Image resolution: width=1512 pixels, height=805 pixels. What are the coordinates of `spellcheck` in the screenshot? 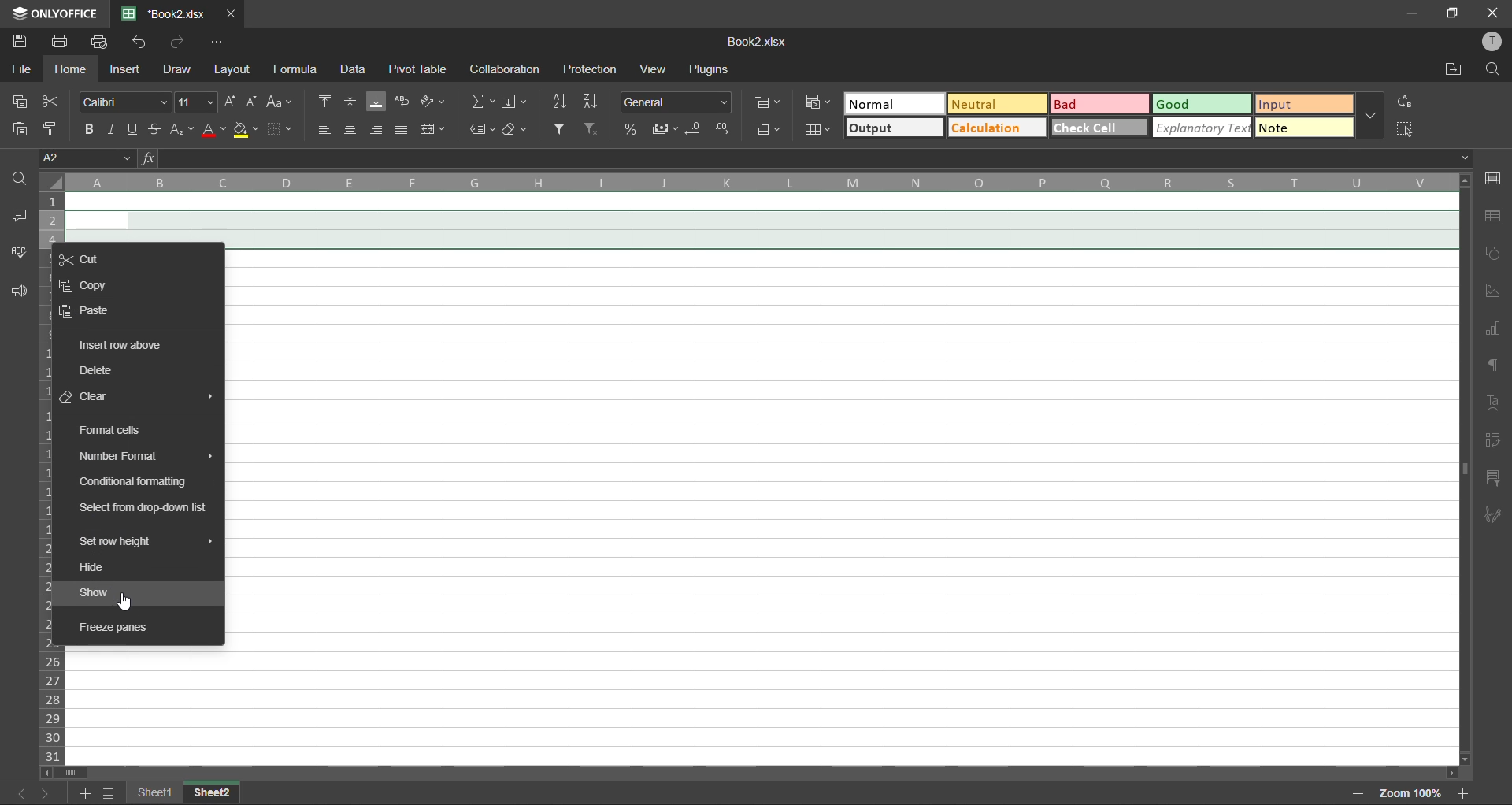 It's located at (19, 254).